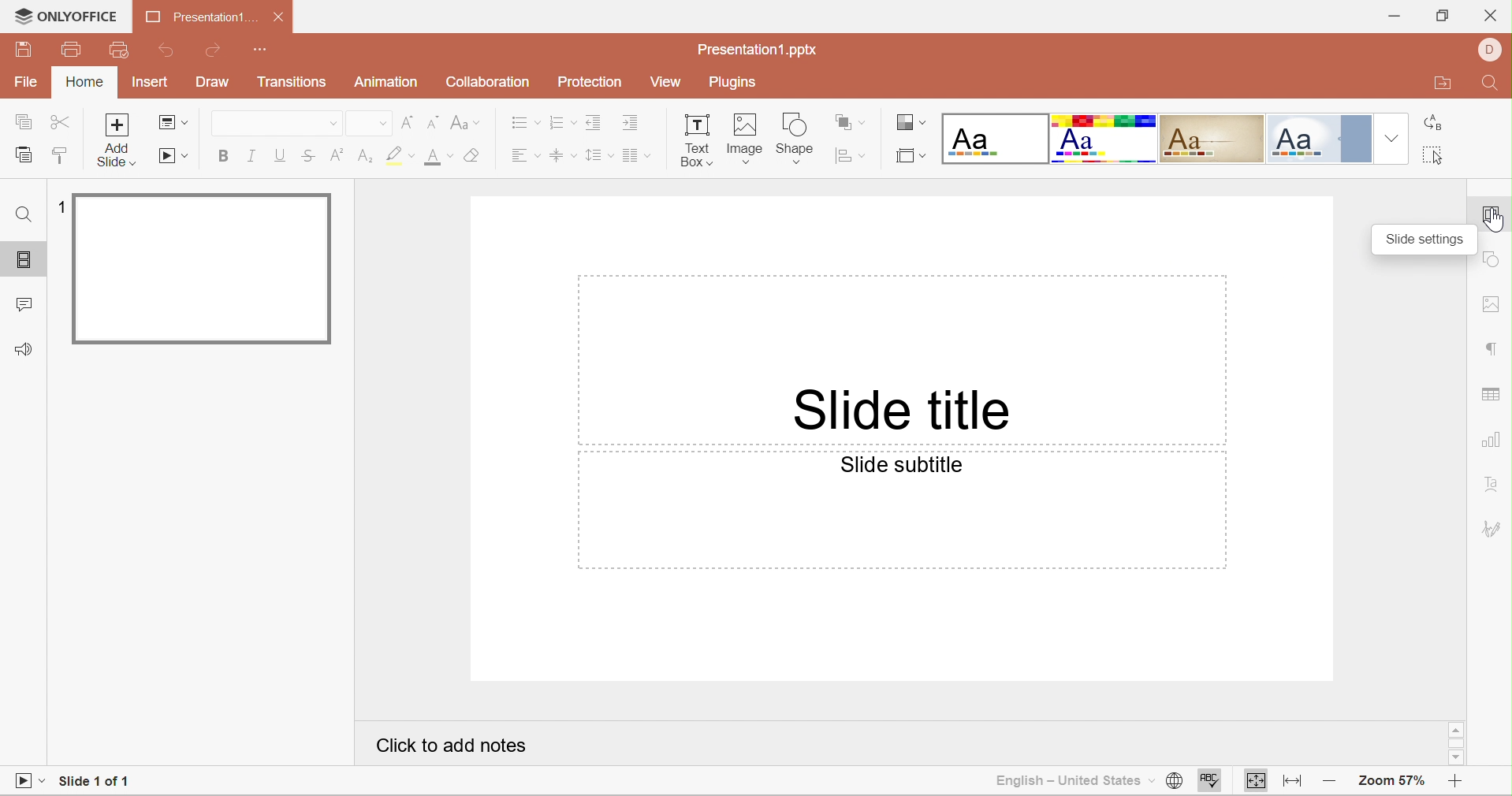  Describe the element at coordinates (594, 121) in the screenshot. I see `Decrease Indent` at that location.